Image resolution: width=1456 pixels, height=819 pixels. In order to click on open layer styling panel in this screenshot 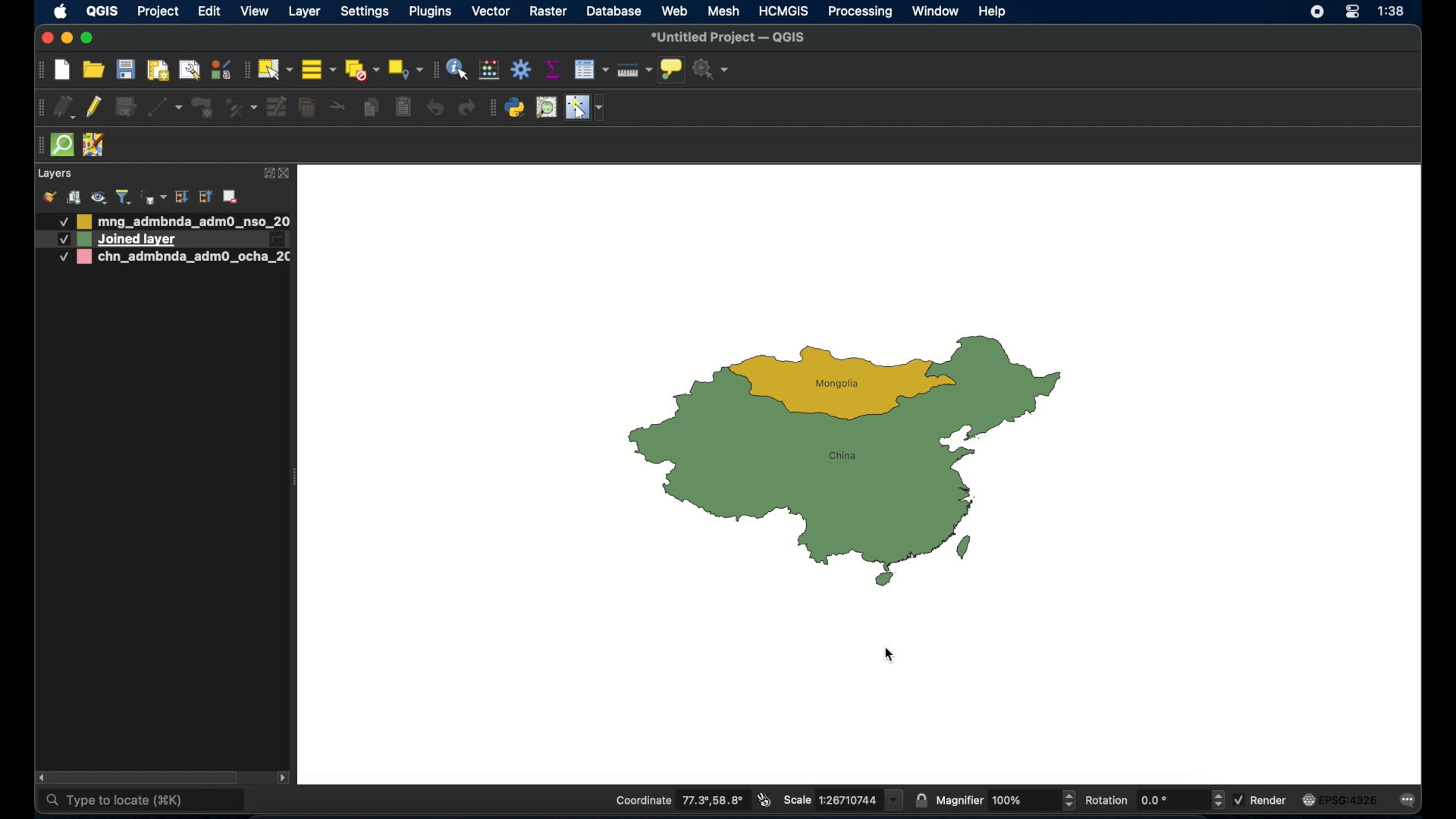, I will do `click(49, 197)`.